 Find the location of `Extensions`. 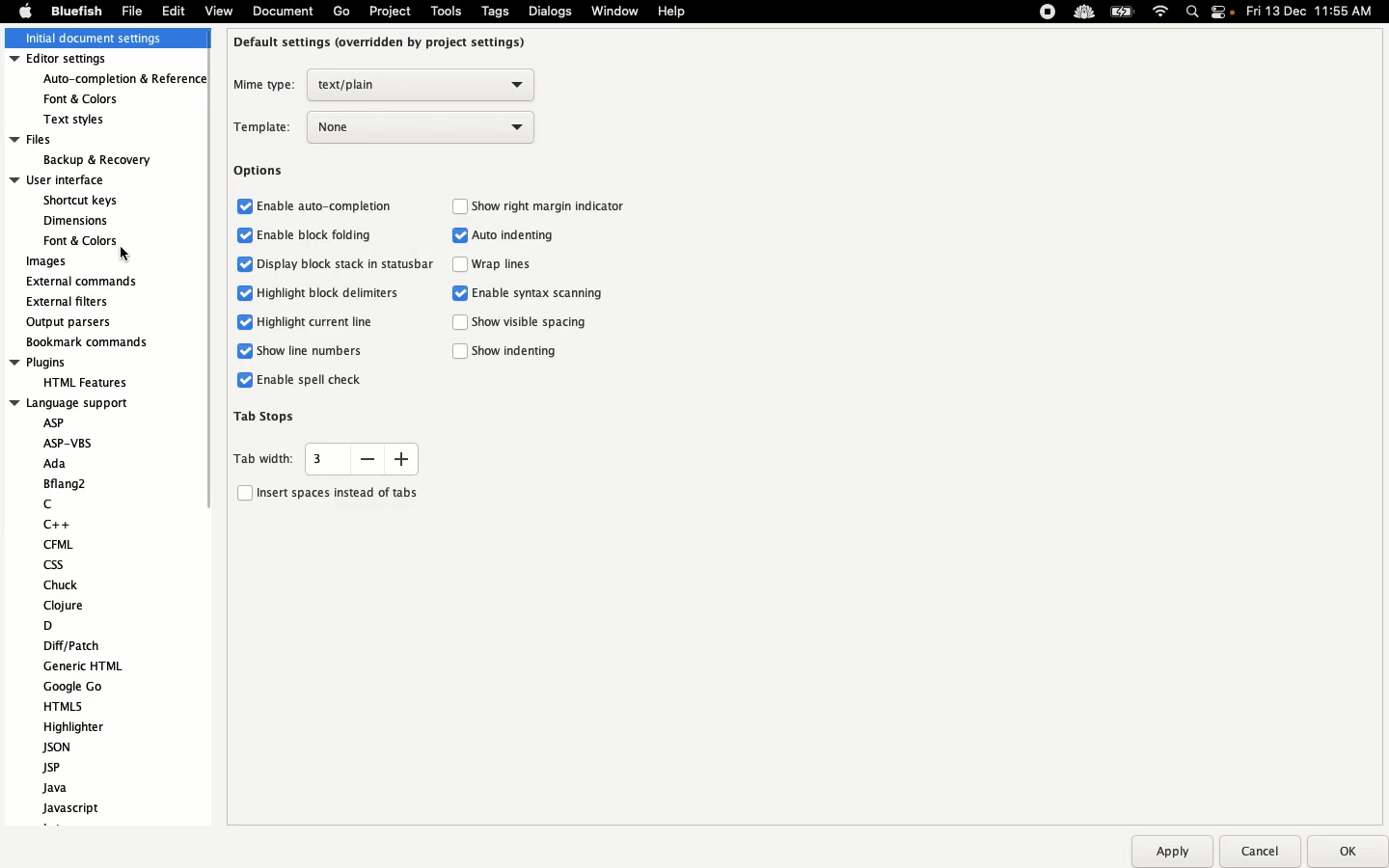

Extensions is located at coordinates (1064, 12).